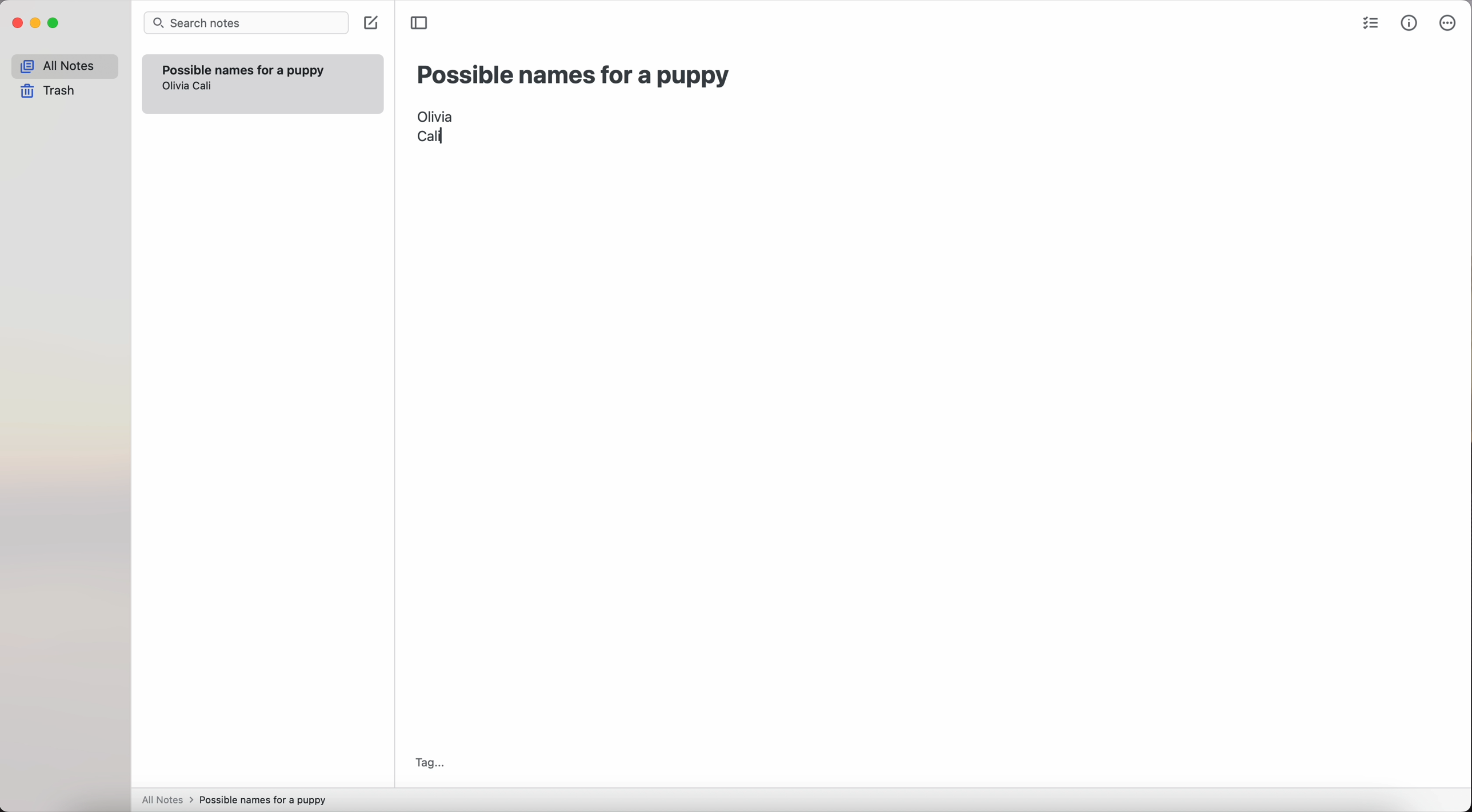  What do you see at coordinates (370, 24) in the screenshot?
I see `create note` at bounding box center [370, 24].